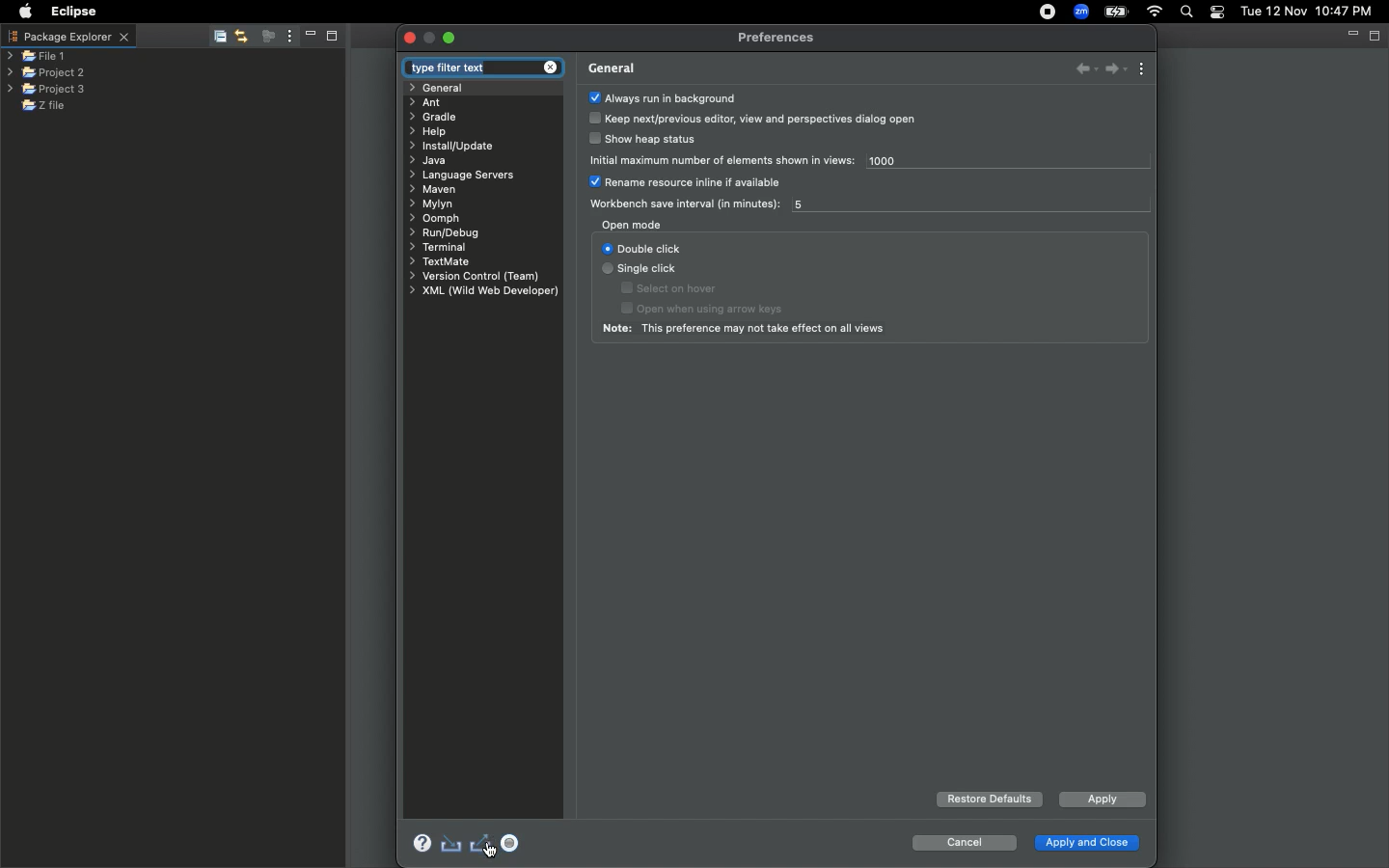 The image size is (1389, 868). Describe the element at coordinates (723, 159) in the screenshot. I see `Initial maximum number of elements shown in views` at that location.